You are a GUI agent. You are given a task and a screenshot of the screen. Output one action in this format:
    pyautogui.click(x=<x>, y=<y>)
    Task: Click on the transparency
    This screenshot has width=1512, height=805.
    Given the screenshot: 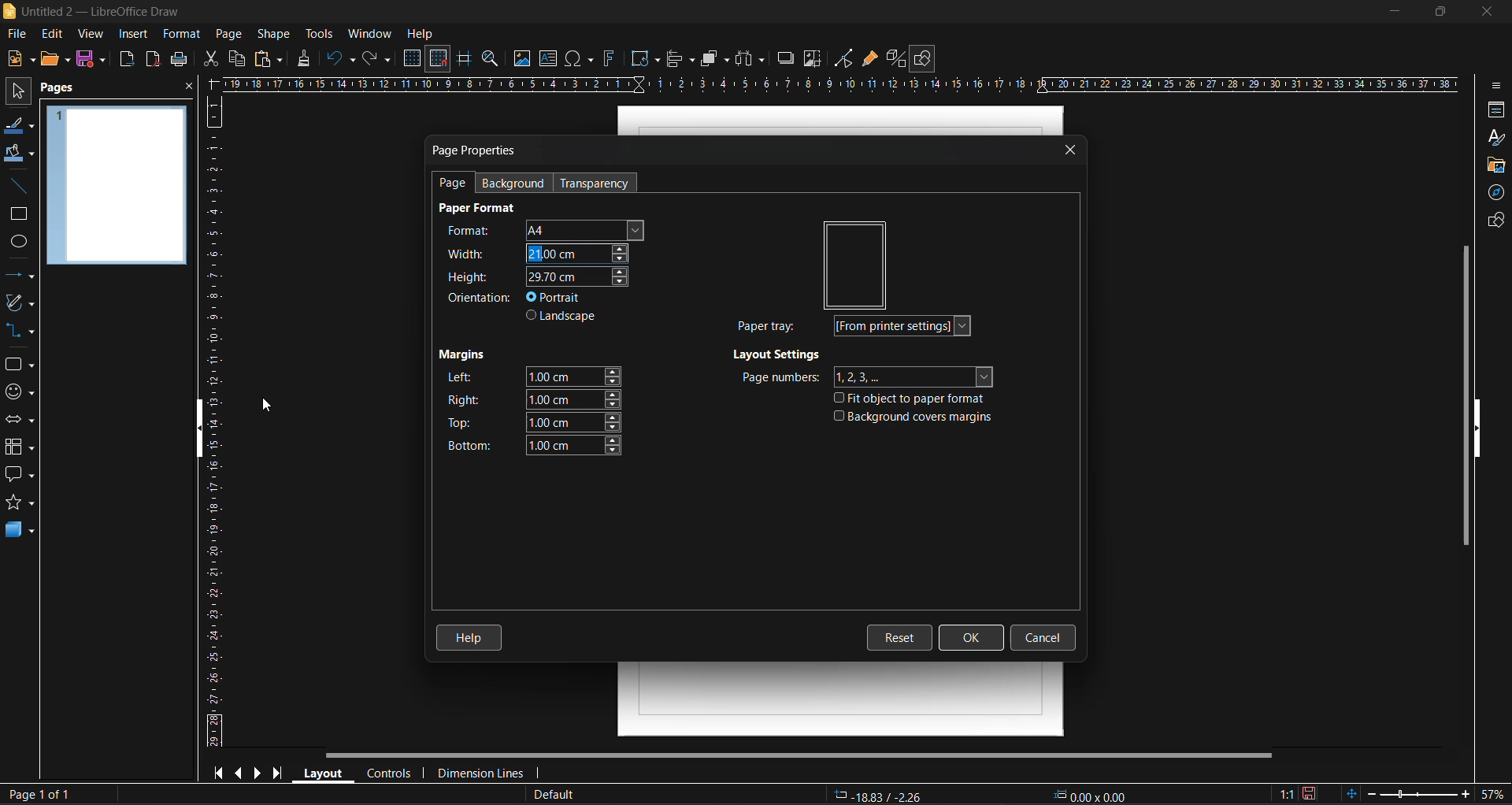 What is the action you would take?
    pyautogui.click(x=598, y=184)
    